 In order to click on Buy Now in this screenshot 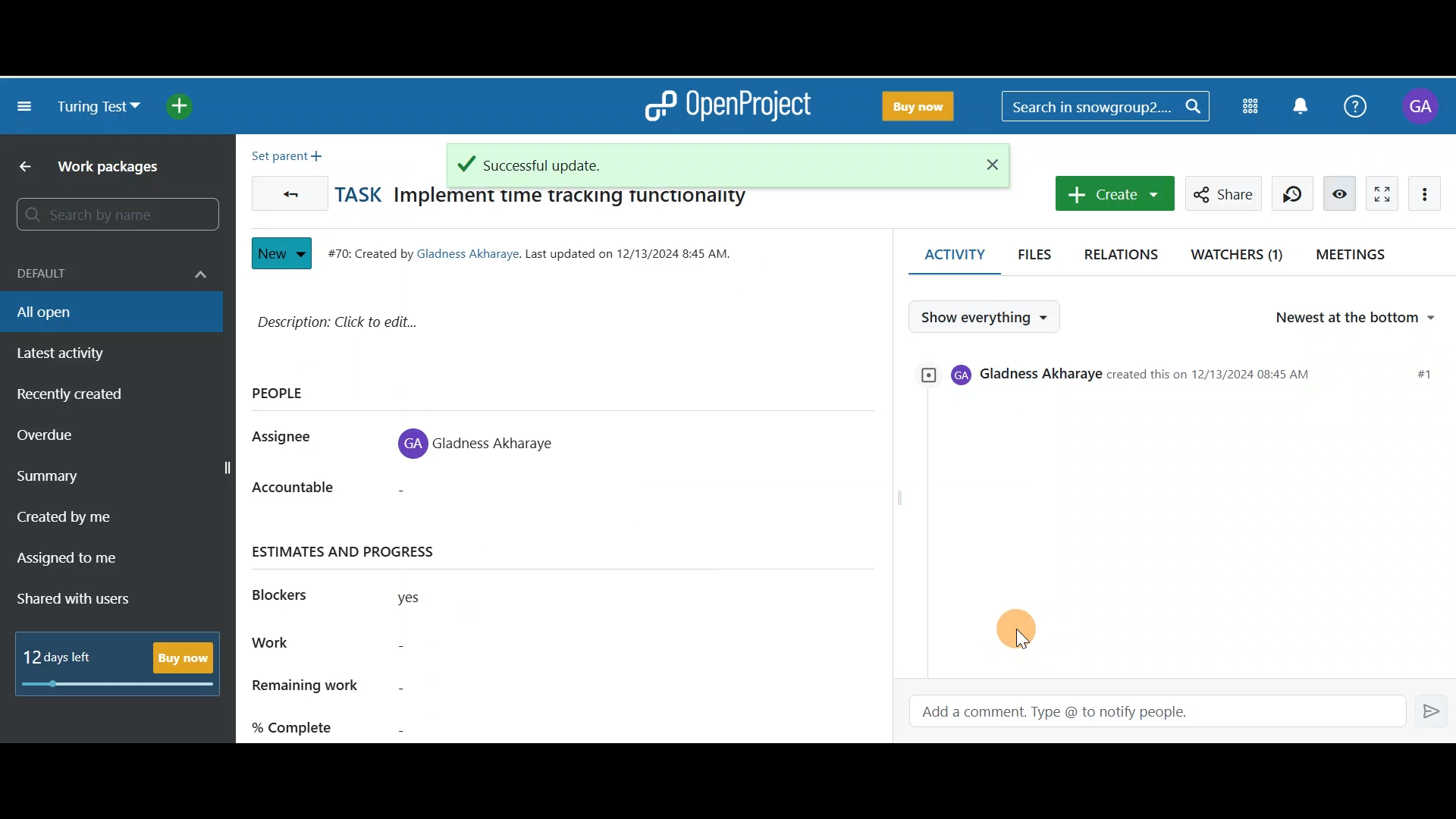, I will do `click(915, 103)`.